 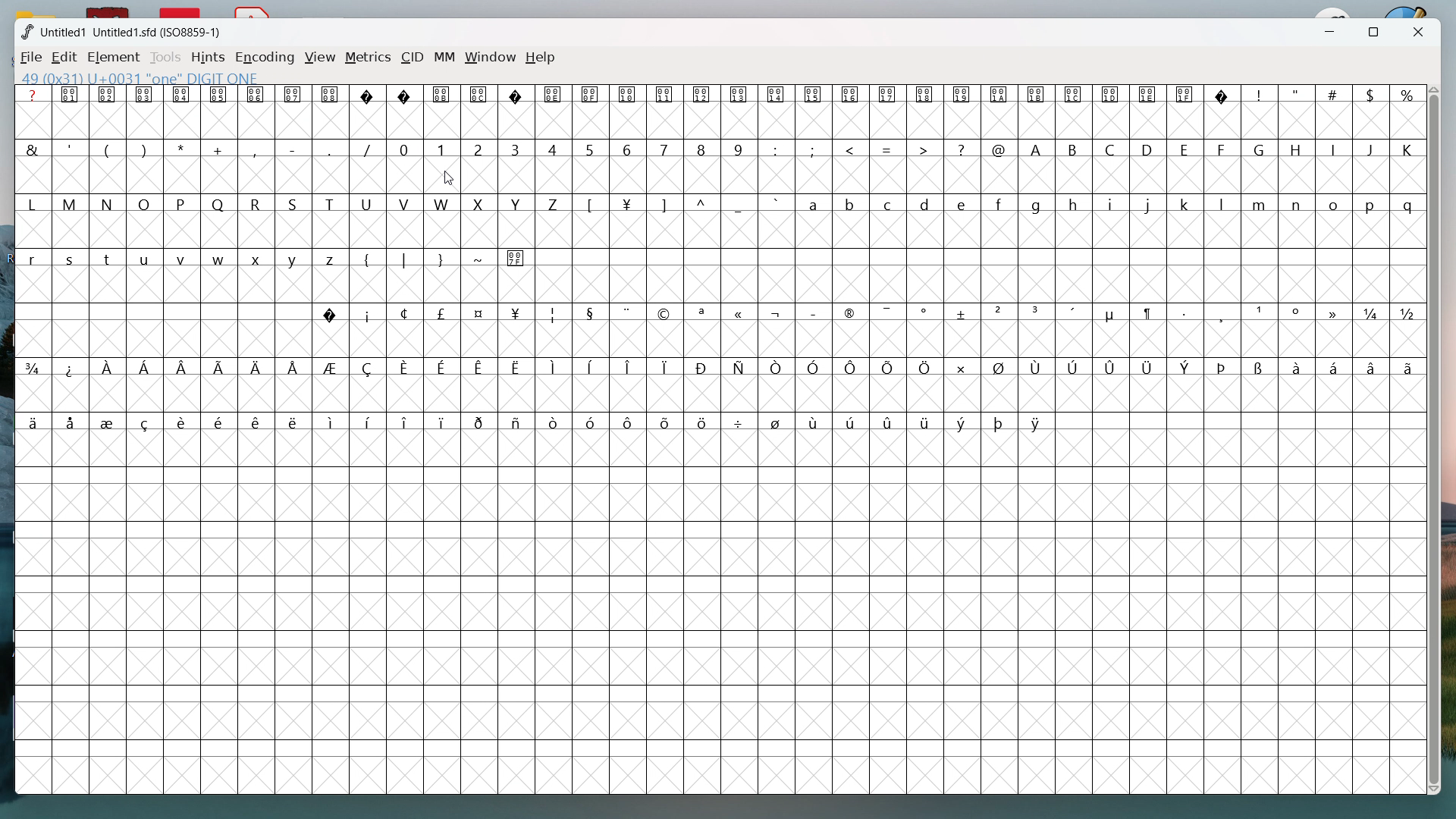 What do you see at coordinates (369, 203) in the screenshot?
I see `U` at bounding box center [369, 203].